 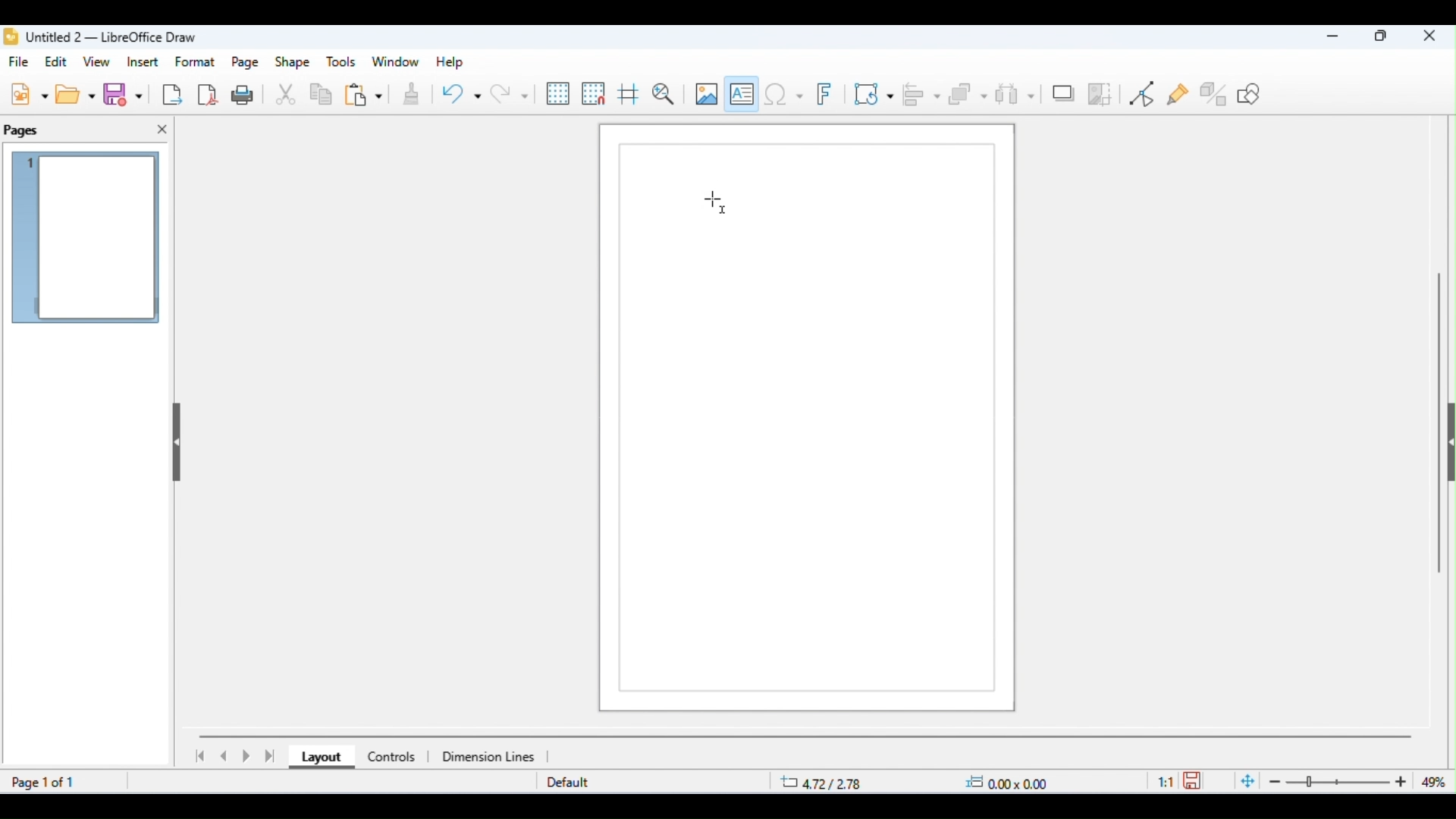 I want to click on insert special characters, so click(x=783, y=93).